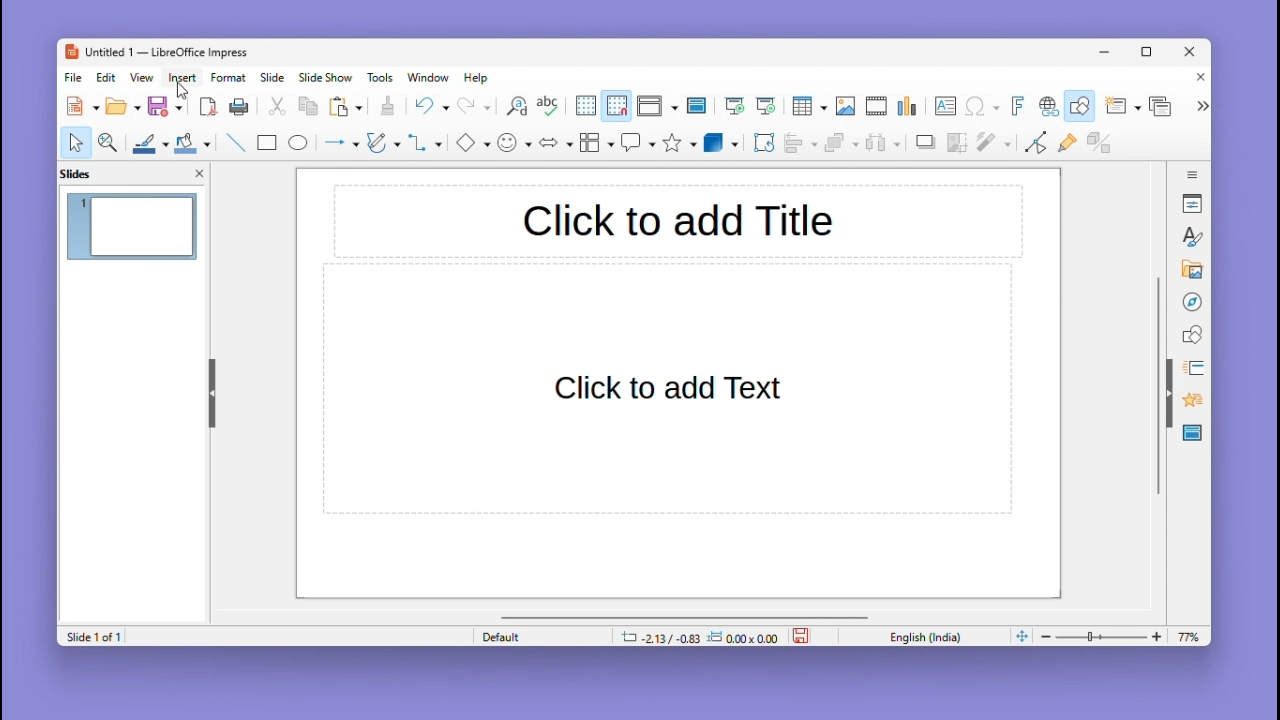 The height and width of the screenshot is (720, 1280). What do you see at coordinates (721, 144) in the screenshot?
I see `Cuboid` at bounding box center [721, 144].